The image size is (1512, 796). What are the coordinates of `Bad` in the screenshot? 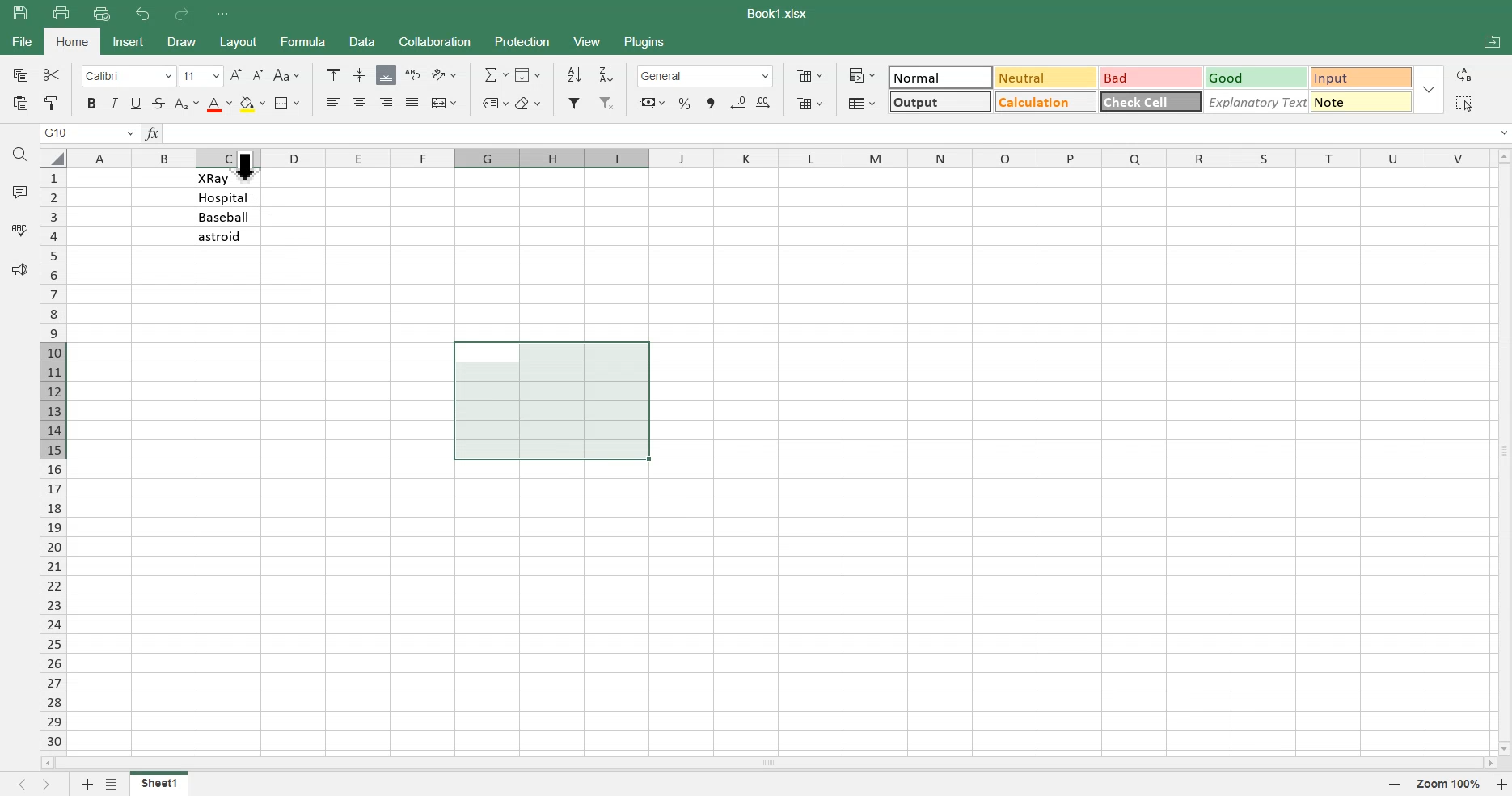 It's located at (1143, 74).